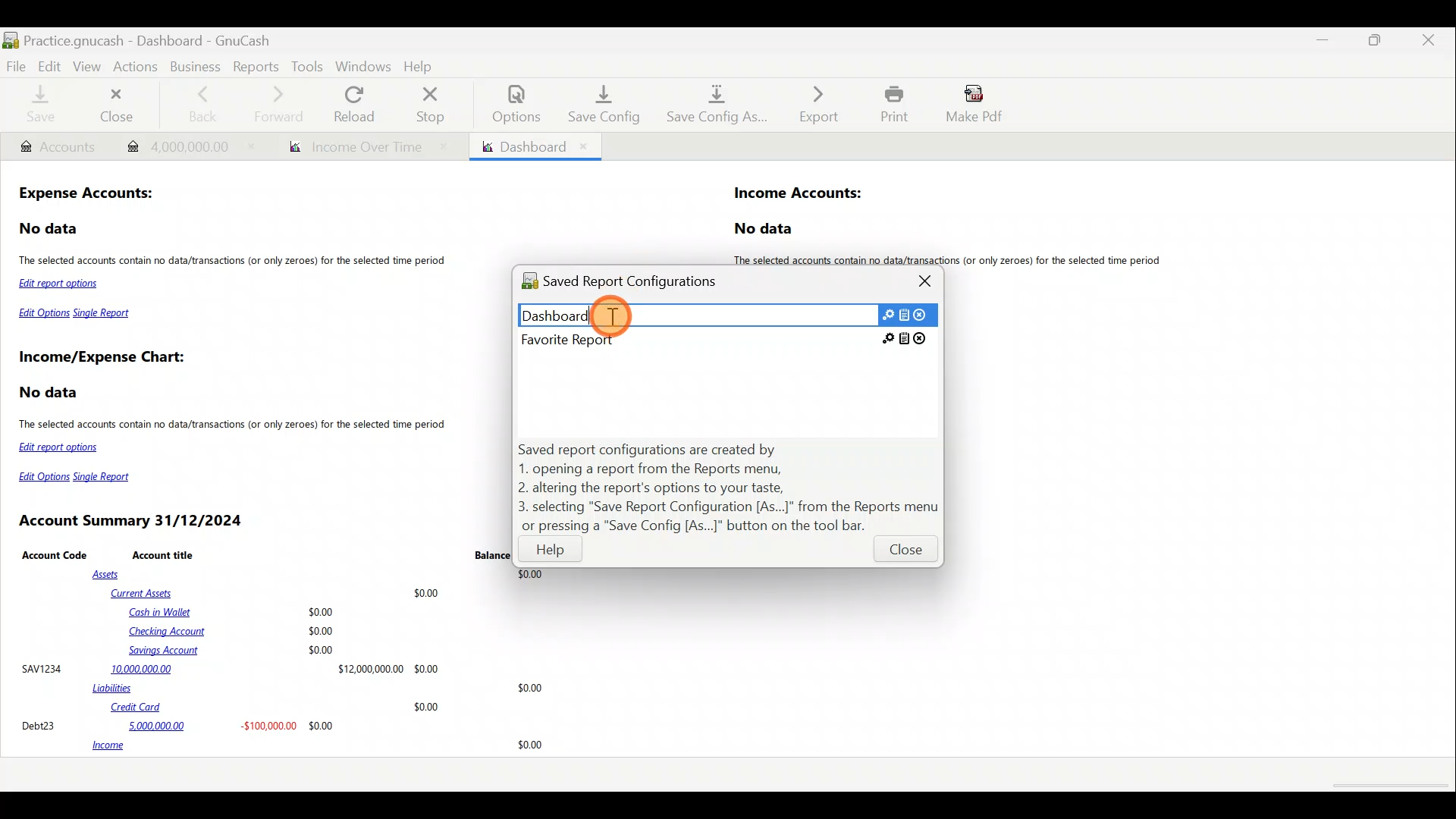 This screenshot has width=1456, height=819. Describe the element at coordinates (102, 359) in the screenshot. I see `Income/Expense Chart:` at that location.